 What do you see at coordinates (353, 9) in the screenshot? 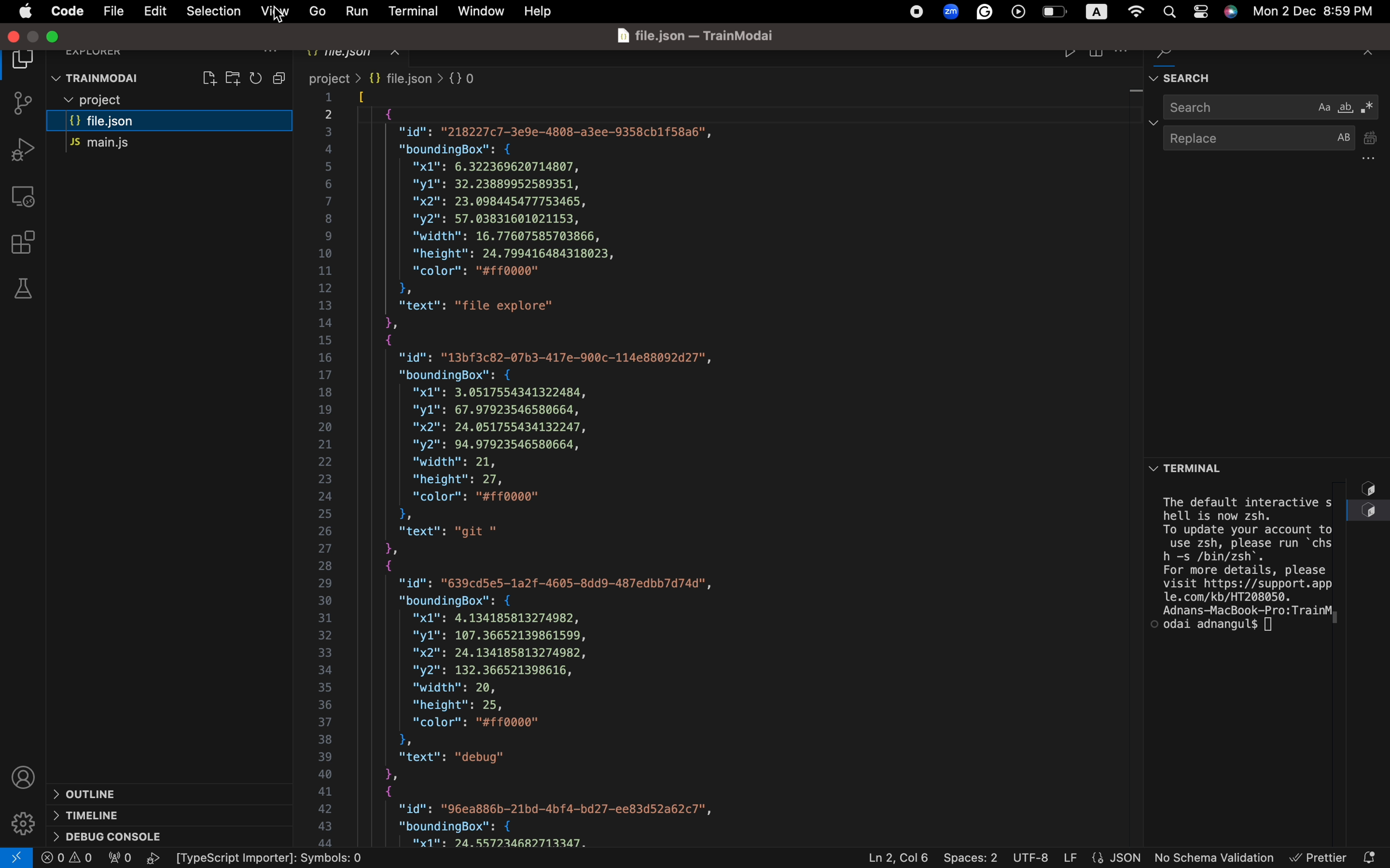
I see `run` at bounding box center [353, 9].